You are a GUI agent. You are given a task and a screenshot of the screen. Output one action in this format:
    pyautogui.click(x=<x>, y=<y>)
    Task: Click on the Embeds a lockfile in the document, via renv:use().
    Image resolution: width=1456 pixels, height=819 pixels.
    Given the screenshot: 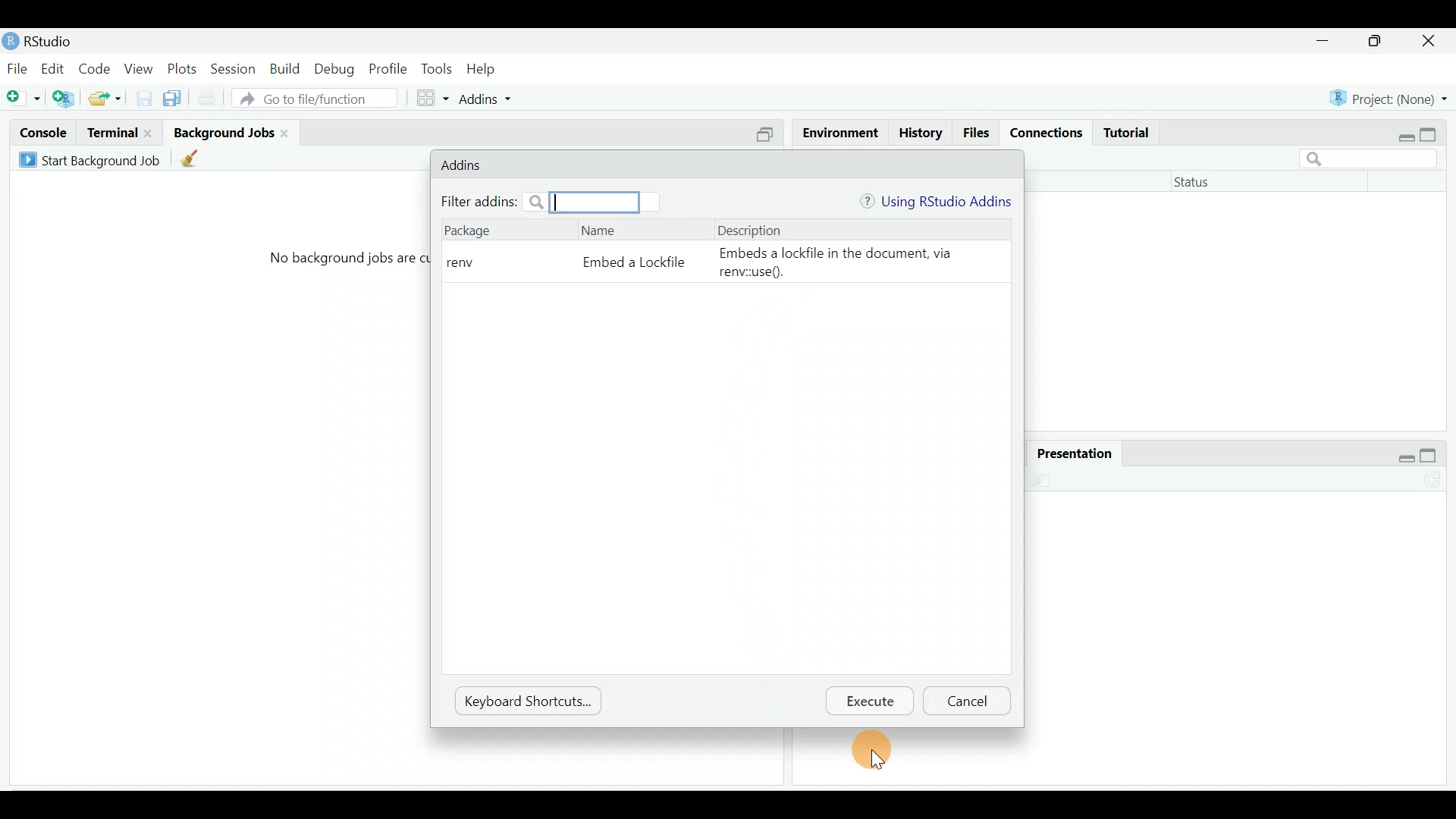 What is the action you would take?
    pyautogui.click(x=852, y=262)
    